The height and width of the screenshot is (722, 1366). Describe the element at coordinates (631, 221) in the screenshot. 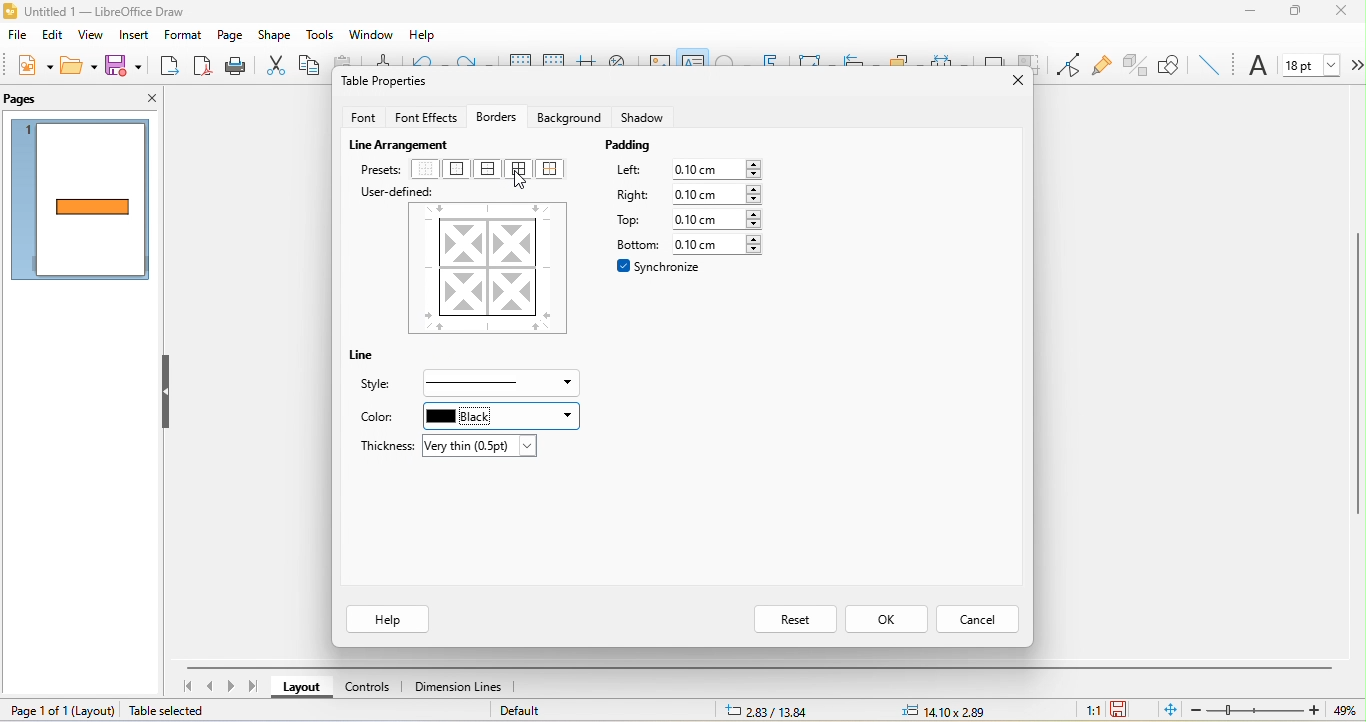

I see `top` at that location.